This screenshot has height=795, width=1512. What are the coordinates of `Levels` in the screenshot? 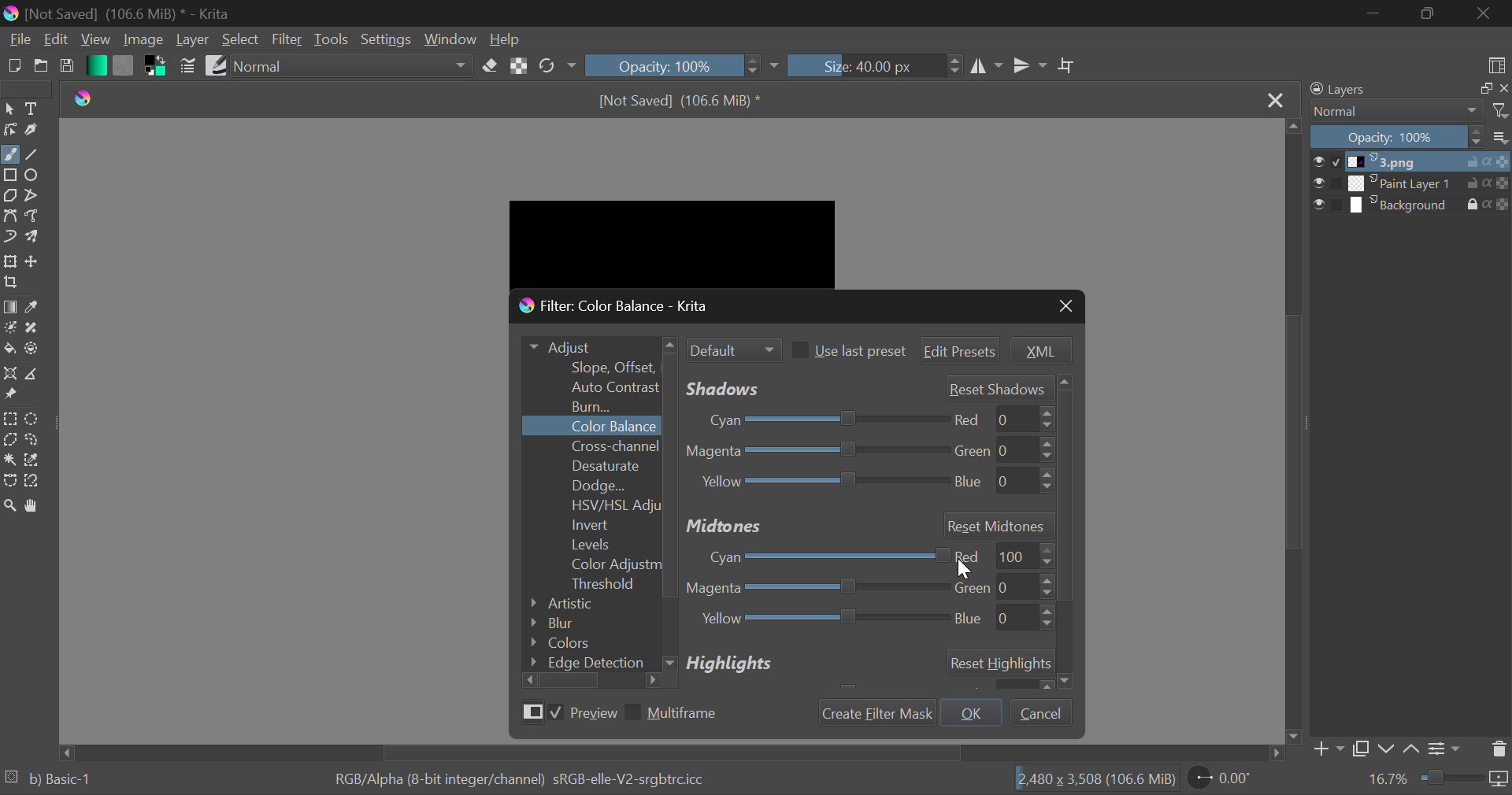 It's located at (592, 545).